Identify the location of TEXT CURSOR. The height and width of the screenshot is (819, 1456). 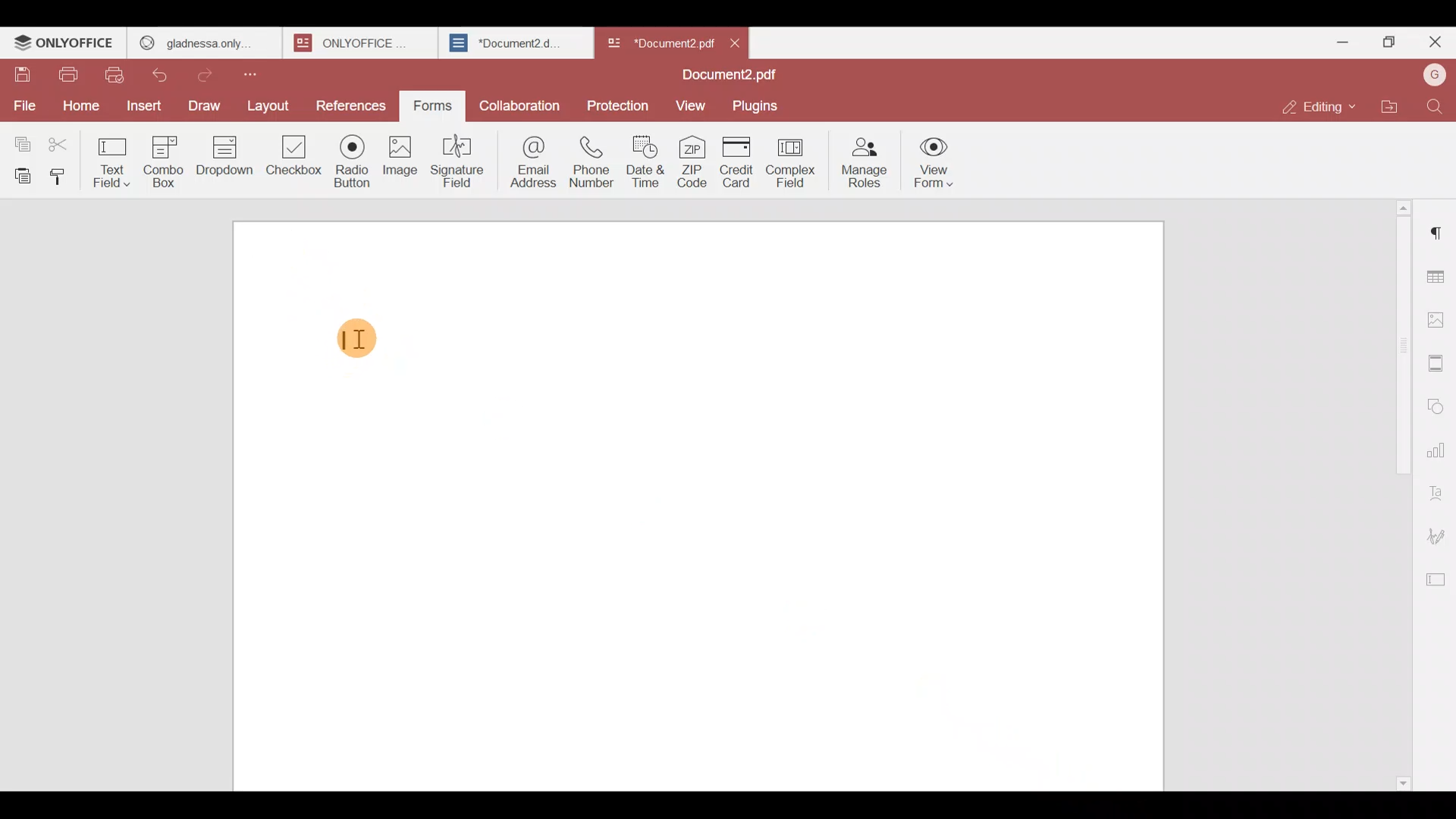
(361, 341).